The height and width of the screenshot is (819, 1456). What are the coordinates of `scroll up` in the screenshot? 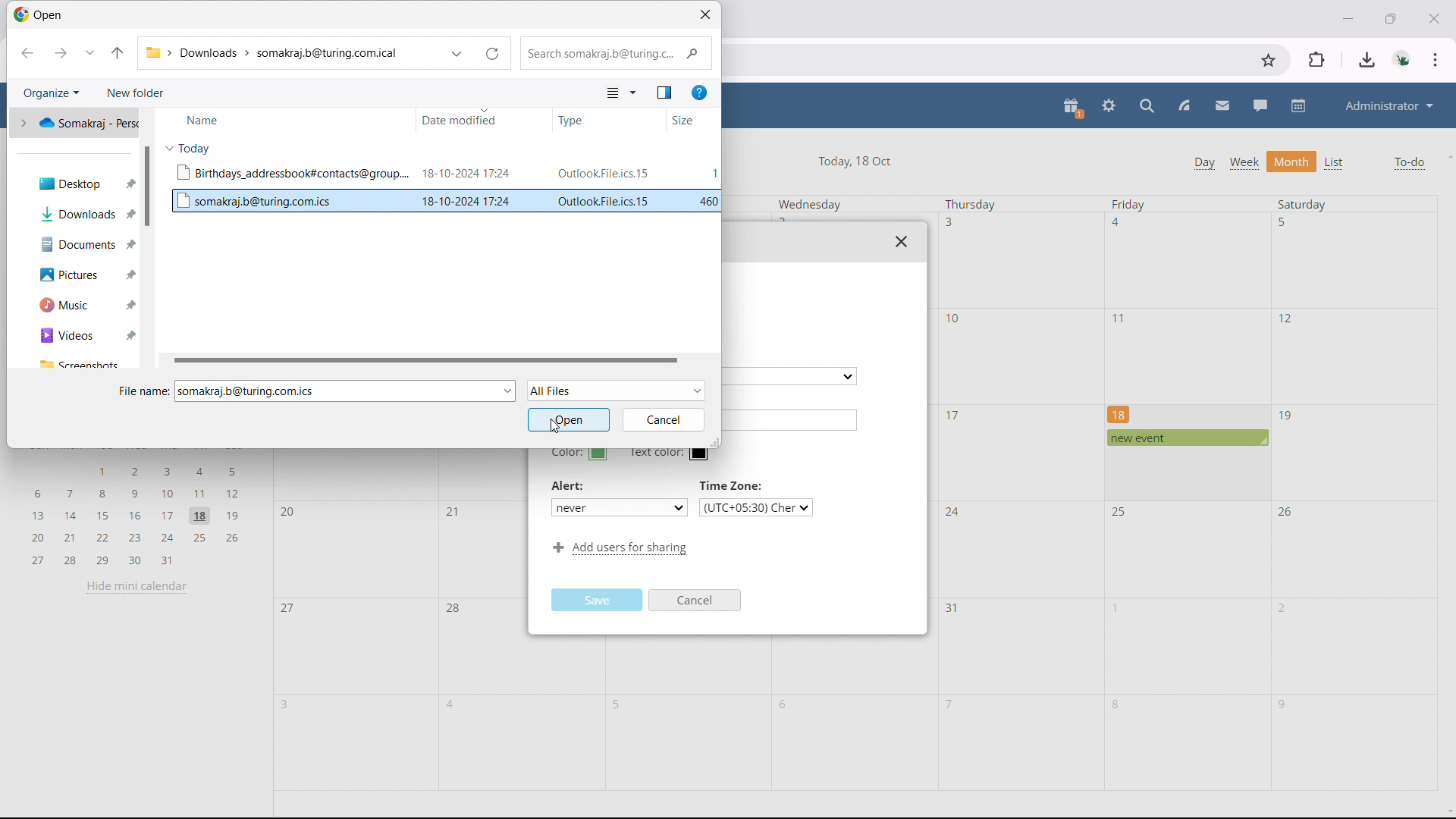 It's located at (1447, 155).